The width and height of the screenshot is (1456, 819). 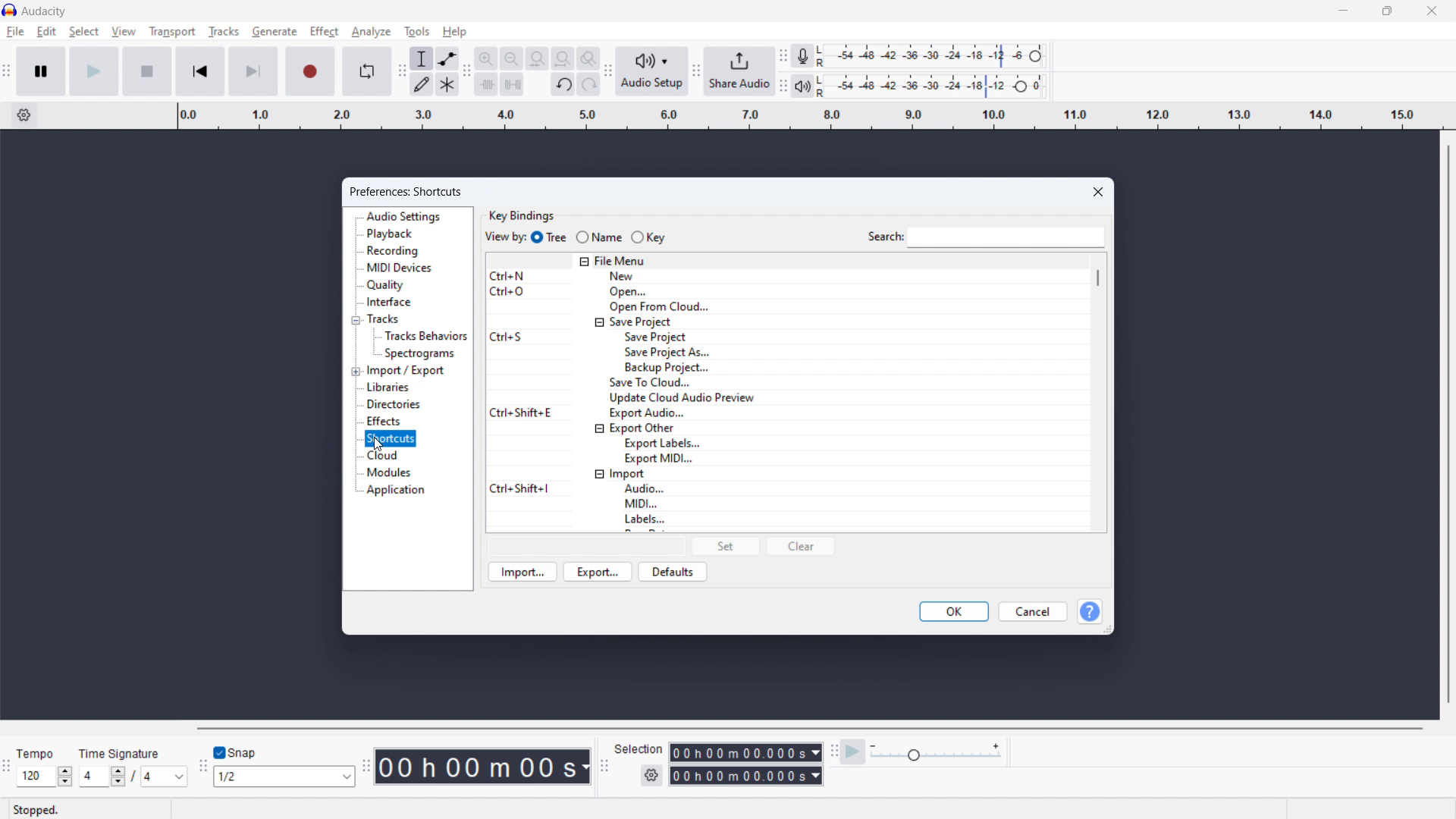 What do you see at coordinates (416, 31) in the screenshot?
I see `tools` at bounding box center [416, 31].